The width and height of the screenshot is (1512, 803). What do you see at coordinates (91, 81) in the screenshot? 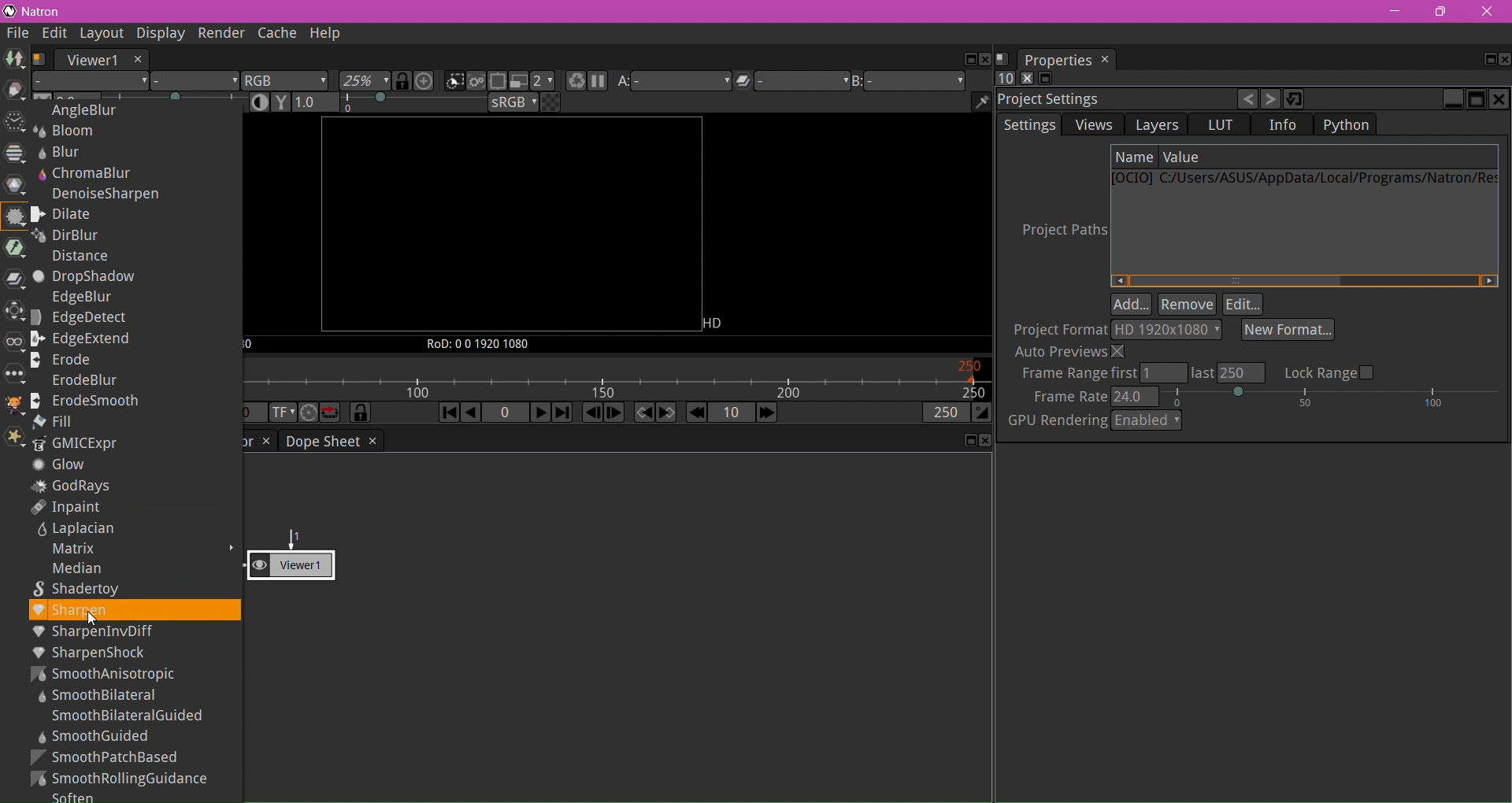
I see `Layer` at bounding box center [91, 81].